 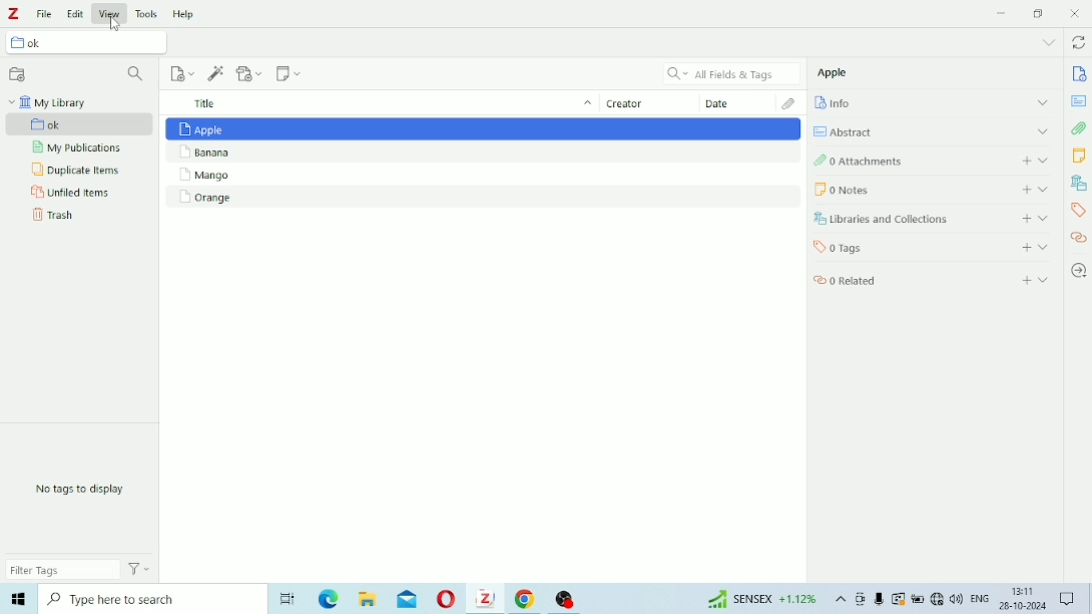 I want to click on New note, so click(x=289, y=76).